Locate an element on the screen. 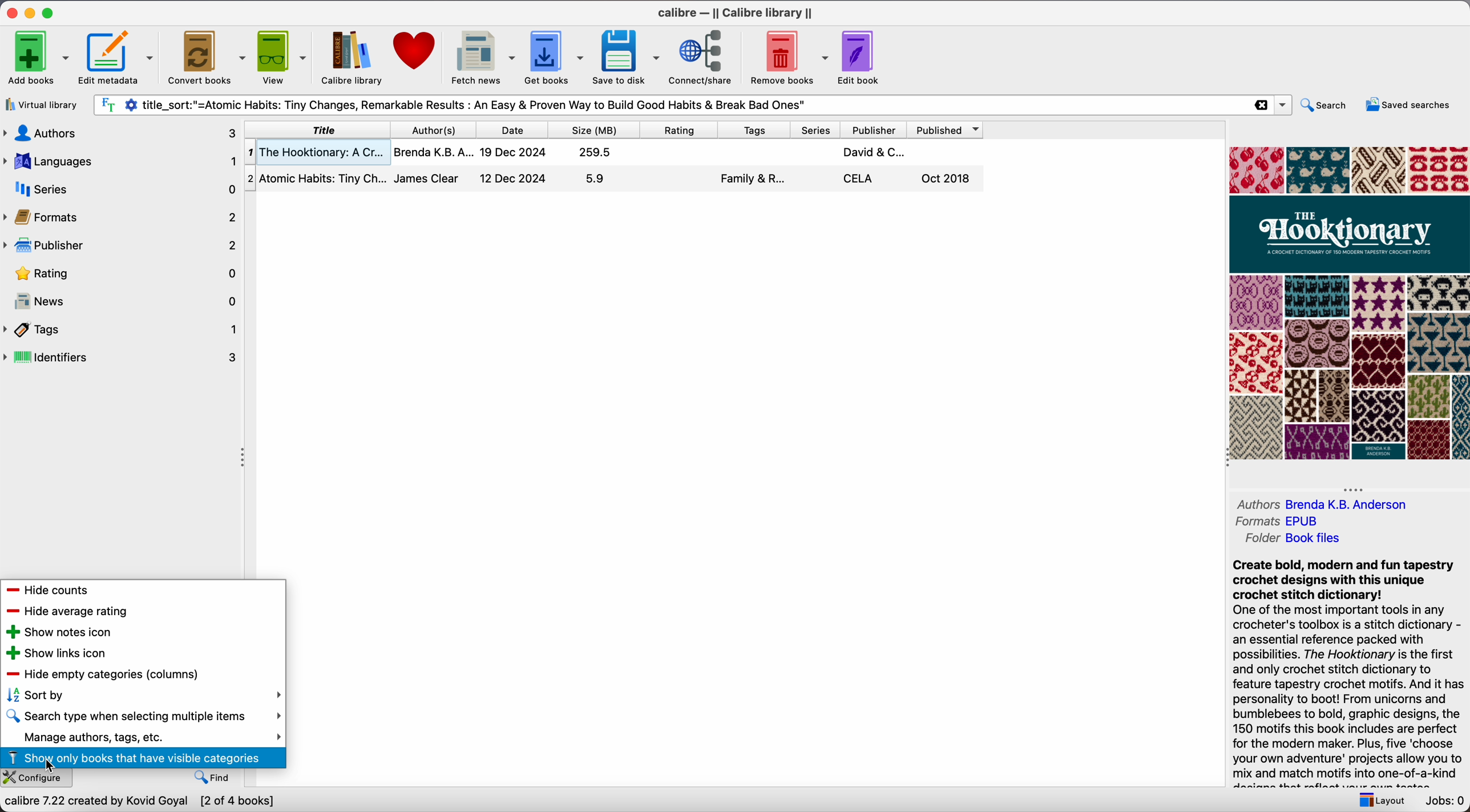 Image resolution: width=1470 pixels, height=812 pixels. search bar is located at coordinates (664, 104).